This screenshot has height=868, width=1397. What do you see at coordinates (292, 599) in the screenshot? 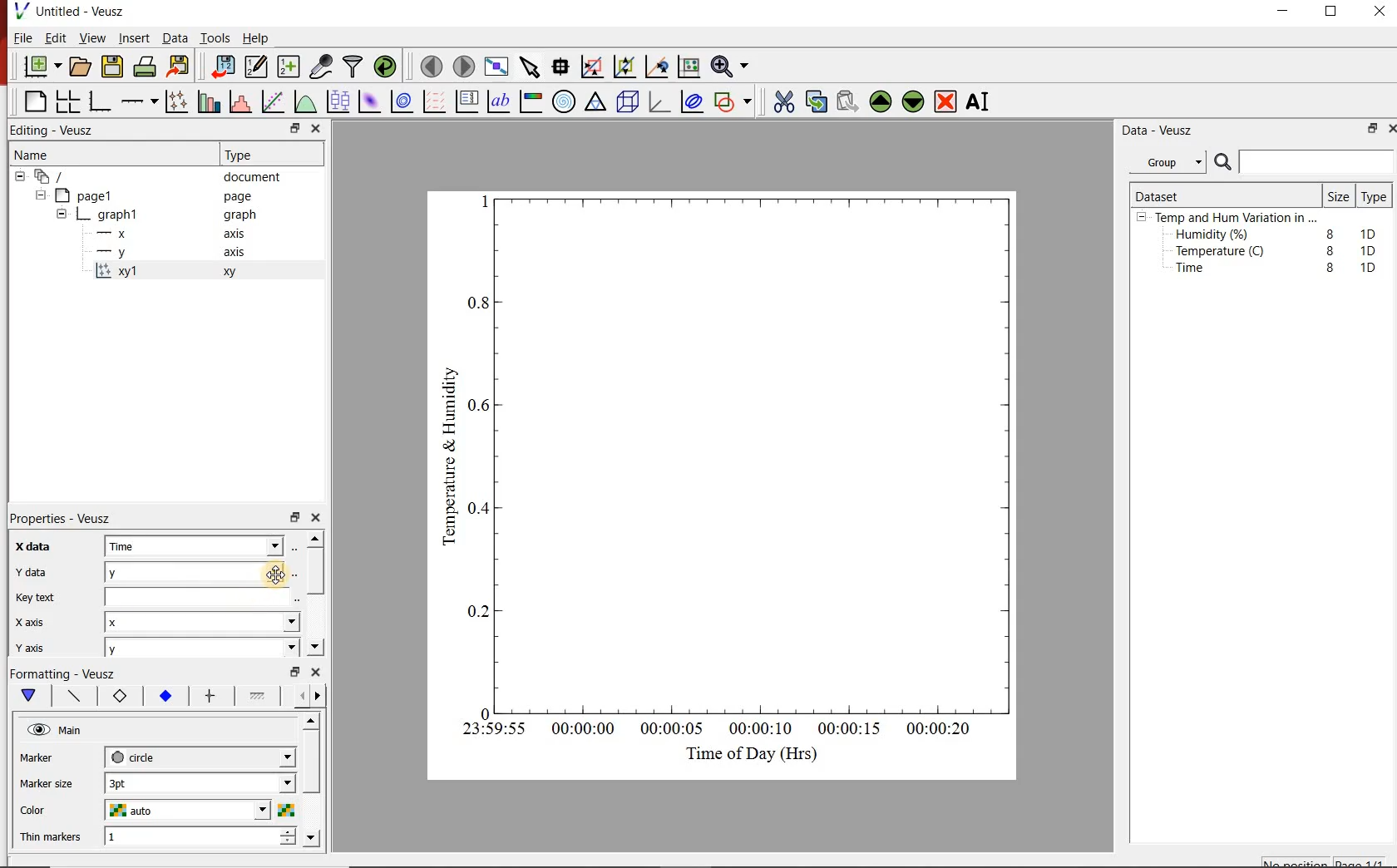
I see `edit text` at bounding box center [292, 599].